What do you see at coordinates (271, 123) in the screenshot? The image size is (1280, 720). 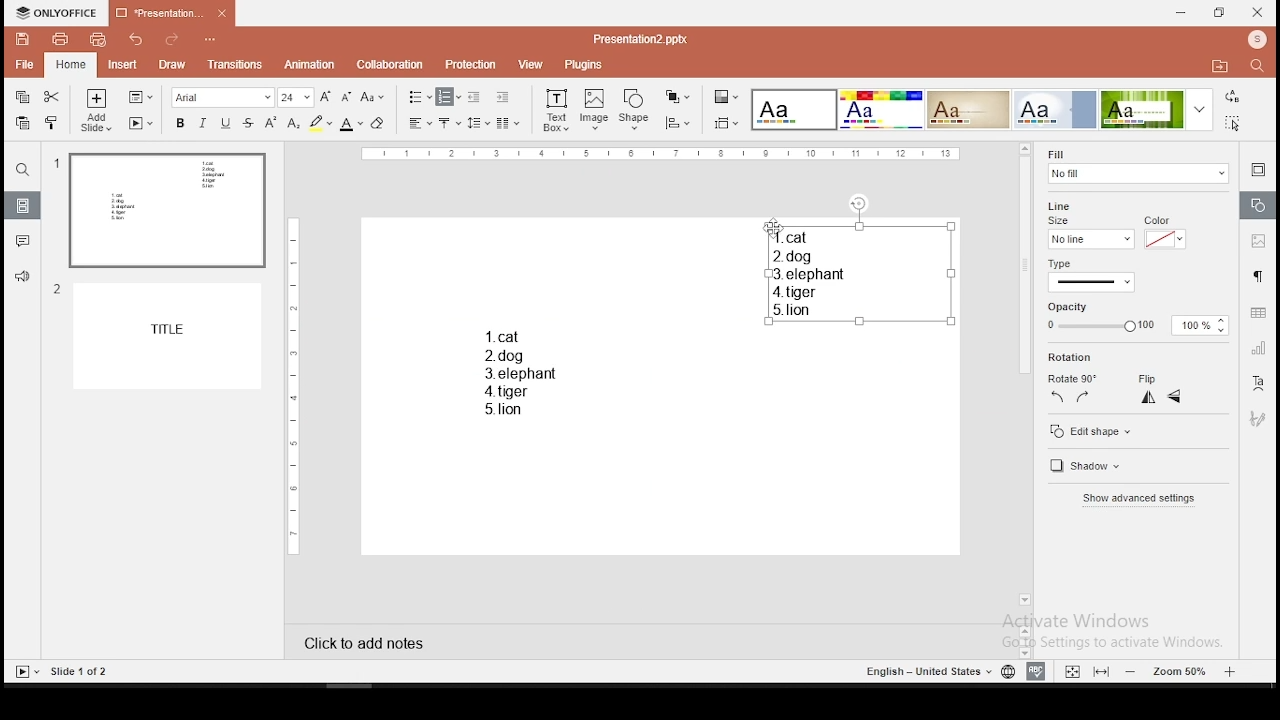 I see `superscript` at bounding box center [271, 123].